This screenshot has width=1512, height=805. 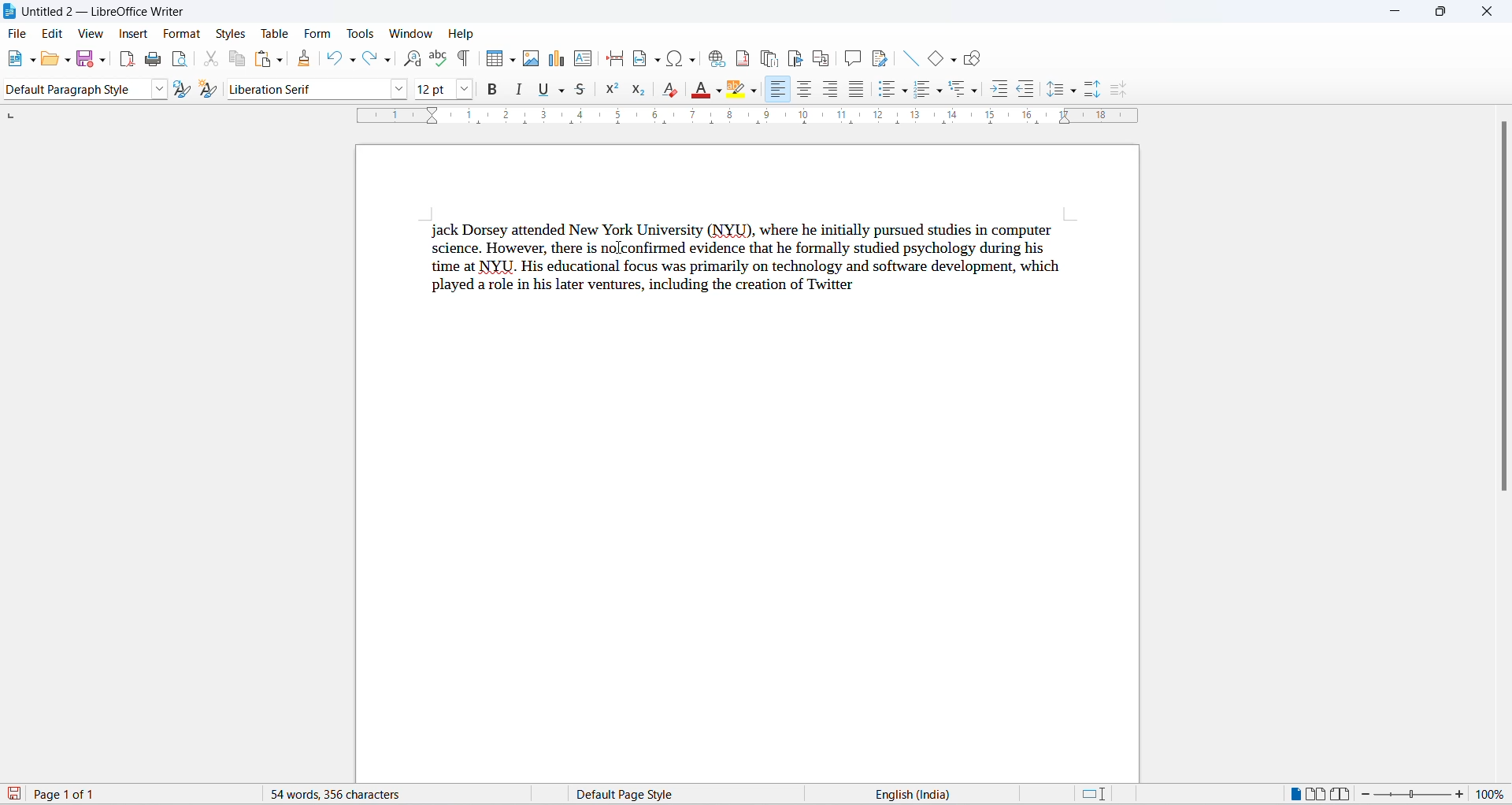 What do you see at coordinates (513, 61) in the screenshot?
I see `table grid` at bounding box center [513, 61].